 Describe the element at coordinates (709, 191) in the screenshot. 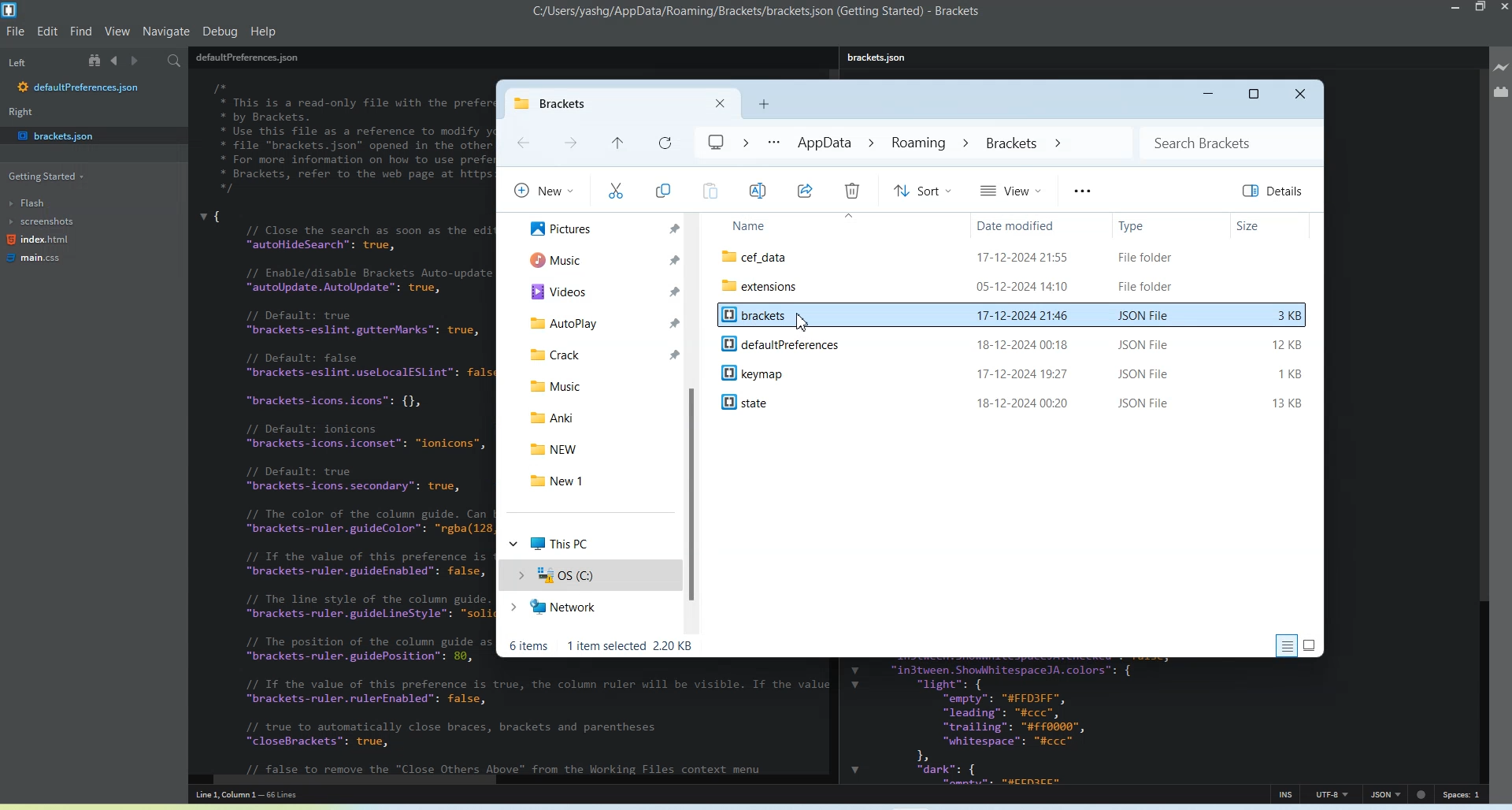

I see `Paste` at that location.